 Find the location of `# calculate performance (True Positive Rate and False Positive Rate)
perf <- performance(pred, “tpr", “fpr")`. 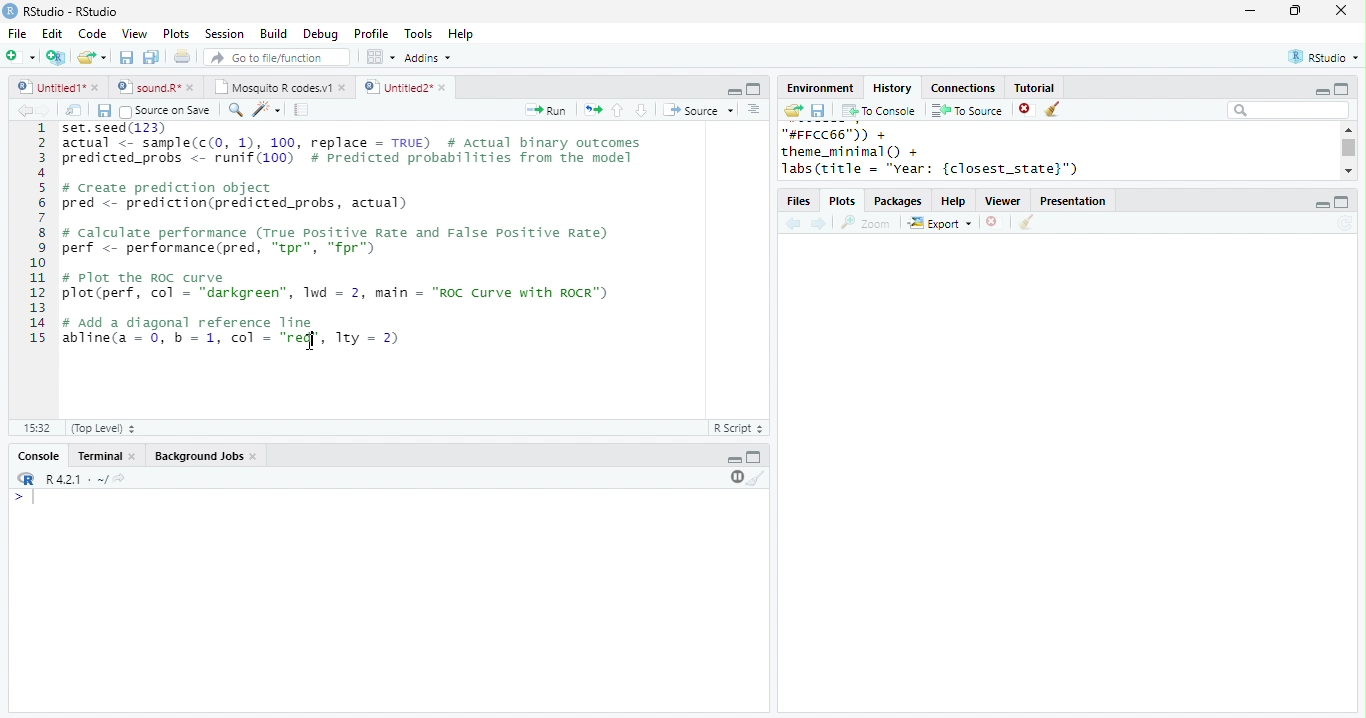

# calculate performance (True Positive Rate and False Positive Rate)
perf <- performance(pred, “tpr", “fpr") is located at coordinates (336, 240).